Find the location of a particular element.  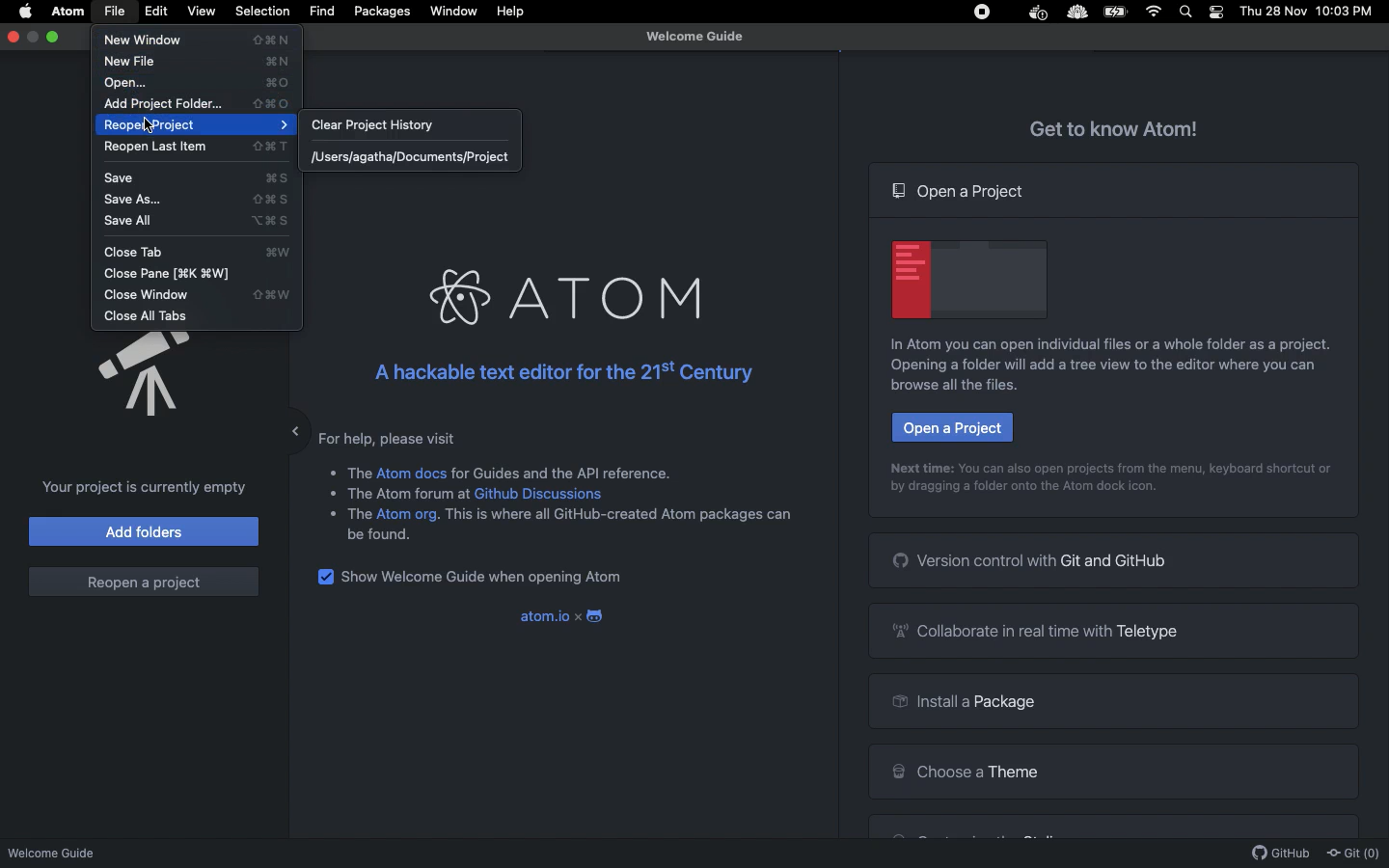

Descriptive text is located at coordinates (395, 437).